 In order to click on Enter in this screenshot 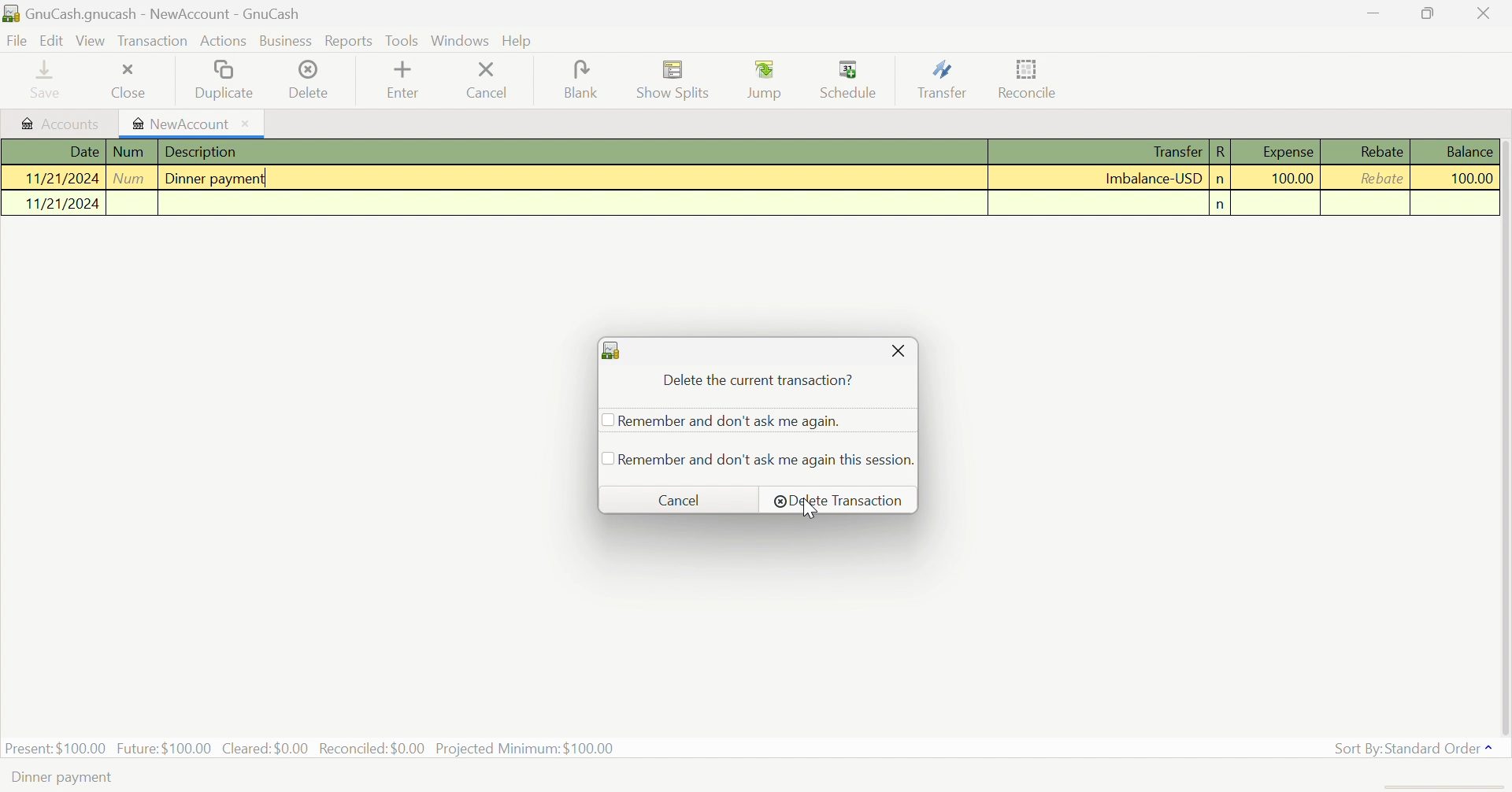, I will do `click(412, 81)`.